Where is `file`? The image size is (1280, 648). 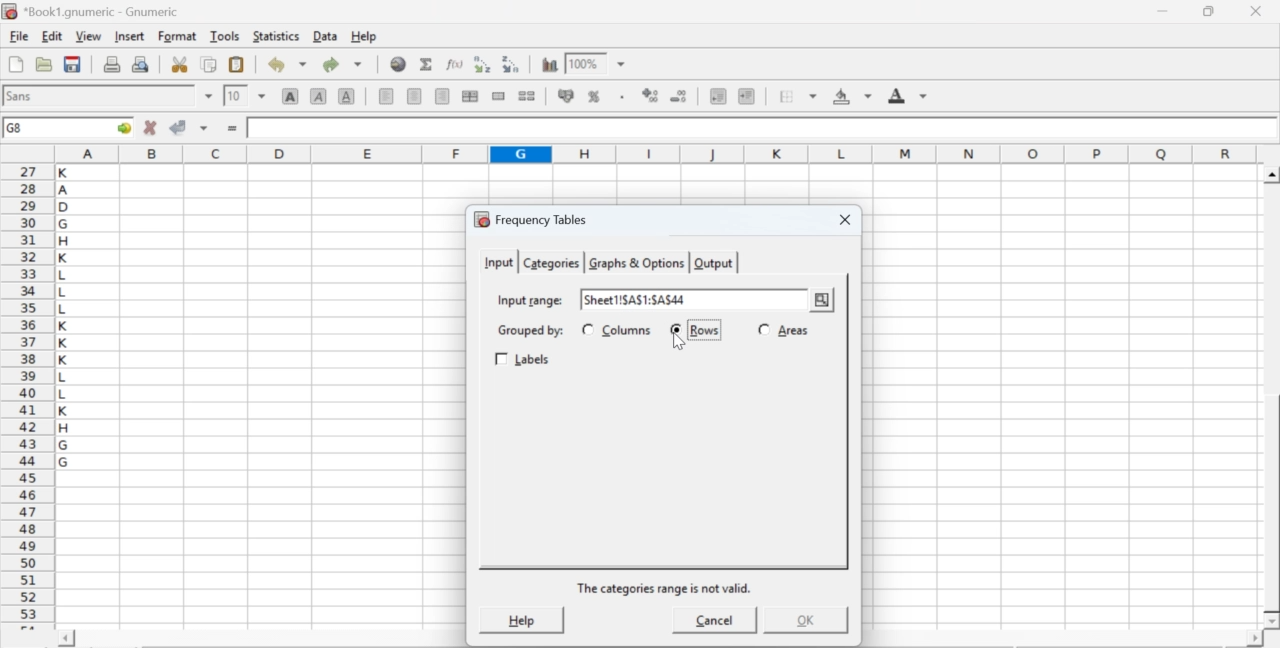
file is located at coordinates (18, 37).